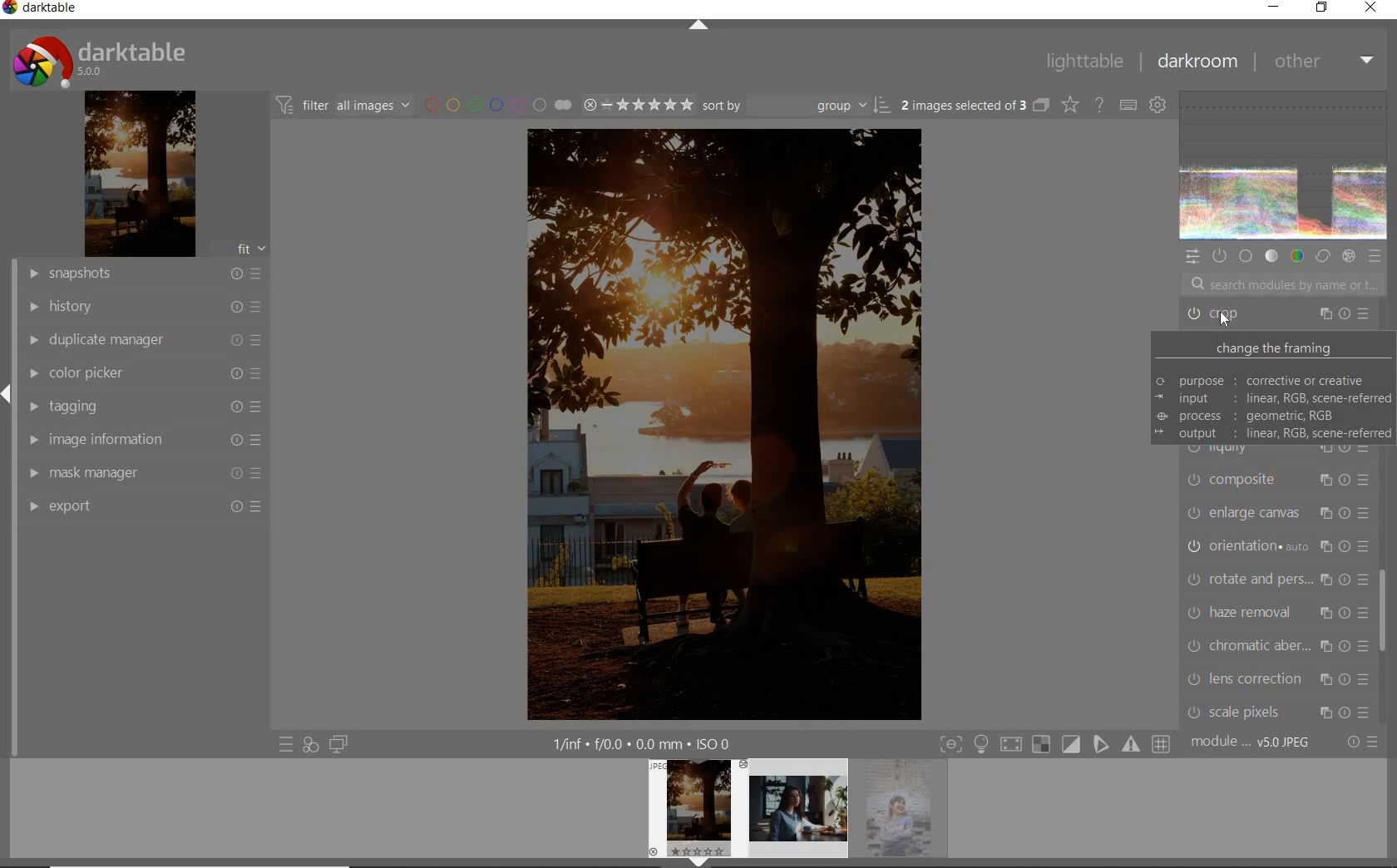 This screenshot has width=1397, height=868. What do you see at coordinates (646, 742) in the screenshot?
I see `other interface detail` at bounding box center [646, 742].